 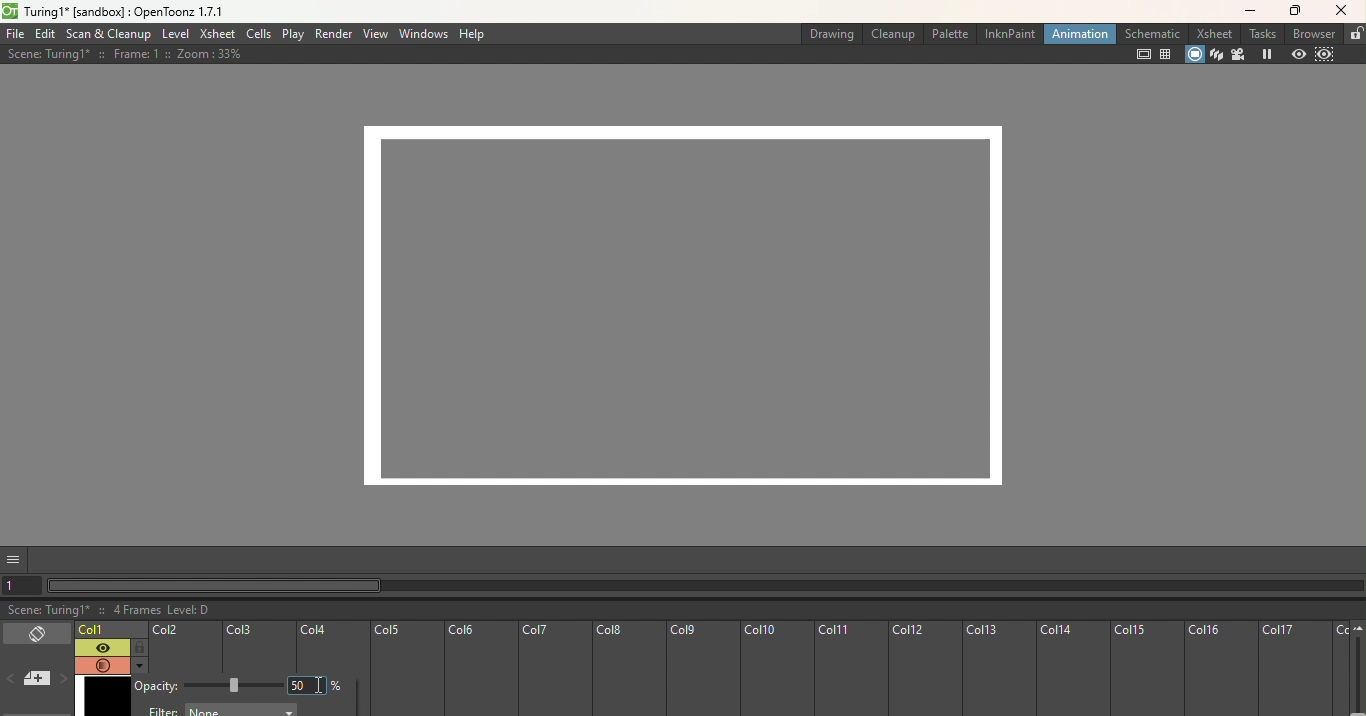 What do you see at coordinates (36, 634) in the screenshot?
I see `Toggle Xsheet/timeline` at bounding box center [36, 634].